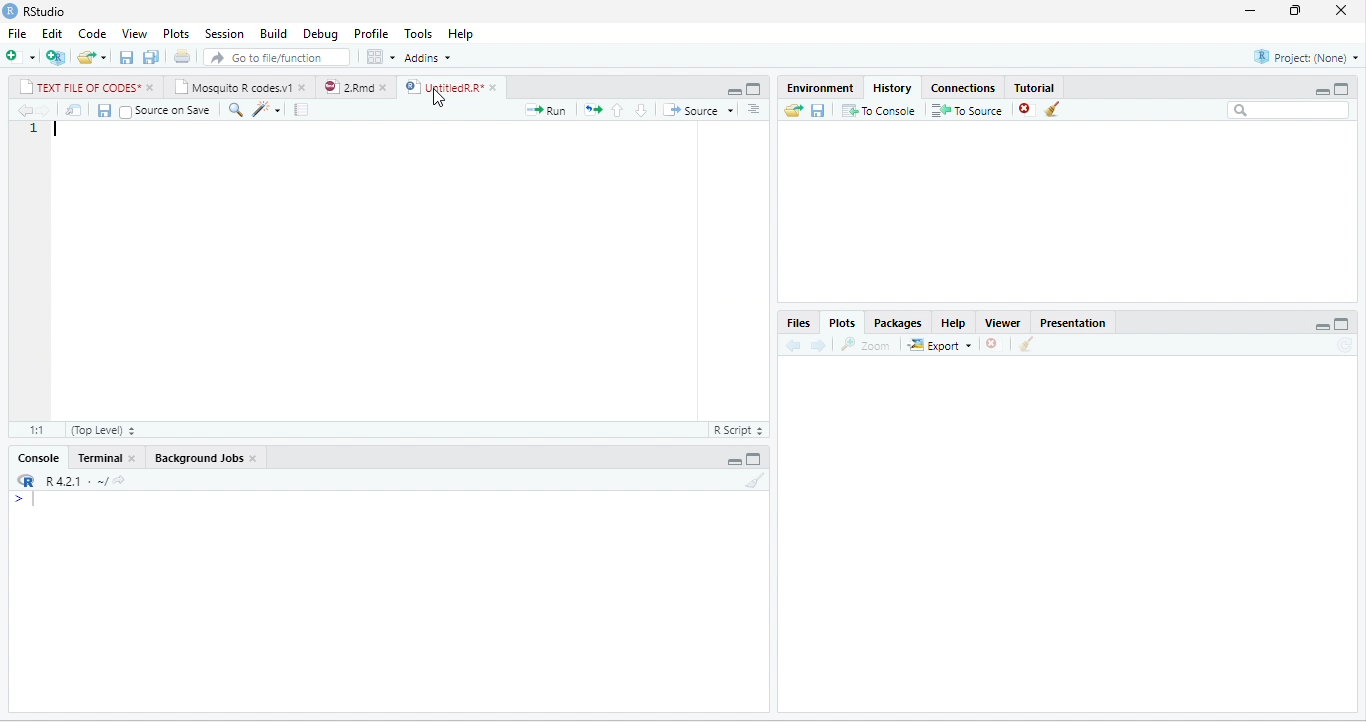 Image resolution: width=1366 pixels, height=722 pixels. What do you see at coordinates (17, 34) in the screenshot?
I see `File` at bounding box center [17, 34].